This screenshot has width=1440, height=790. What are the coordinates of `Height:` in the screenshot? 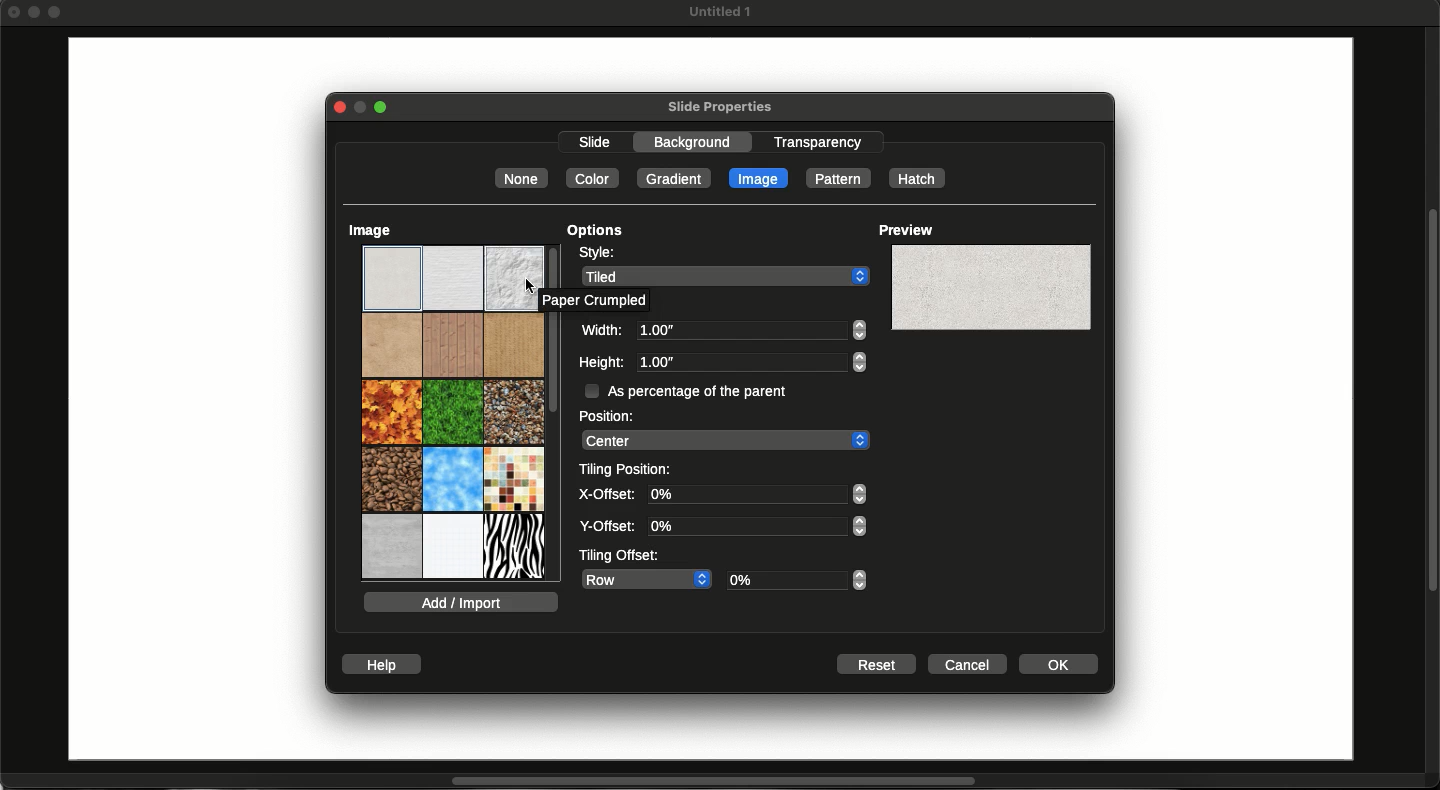 It's located at (601, 362).